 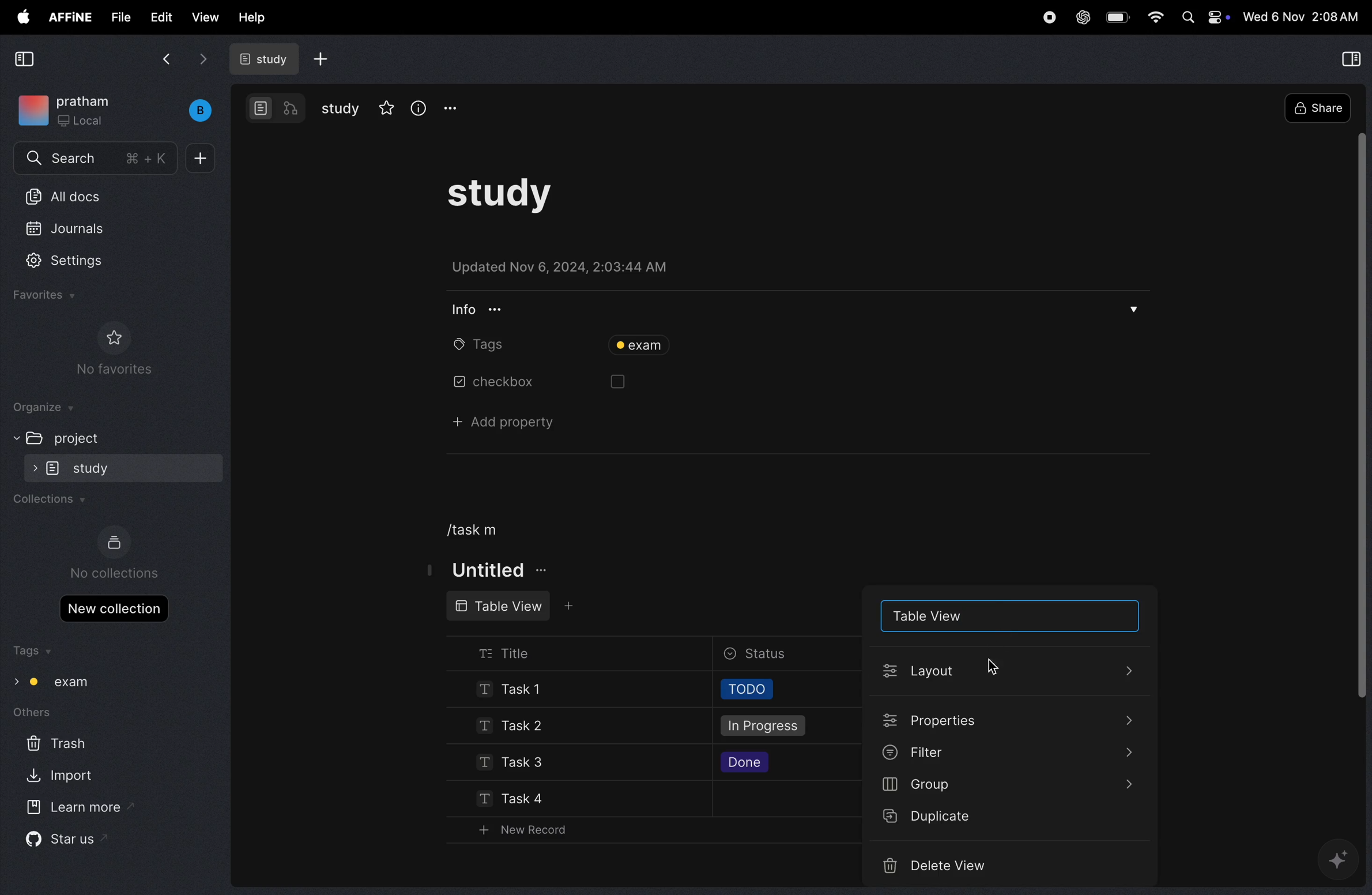 What do you see at coordinates (383, 108) in the screenshot?
I see `star` at bounding box center [383, 108].